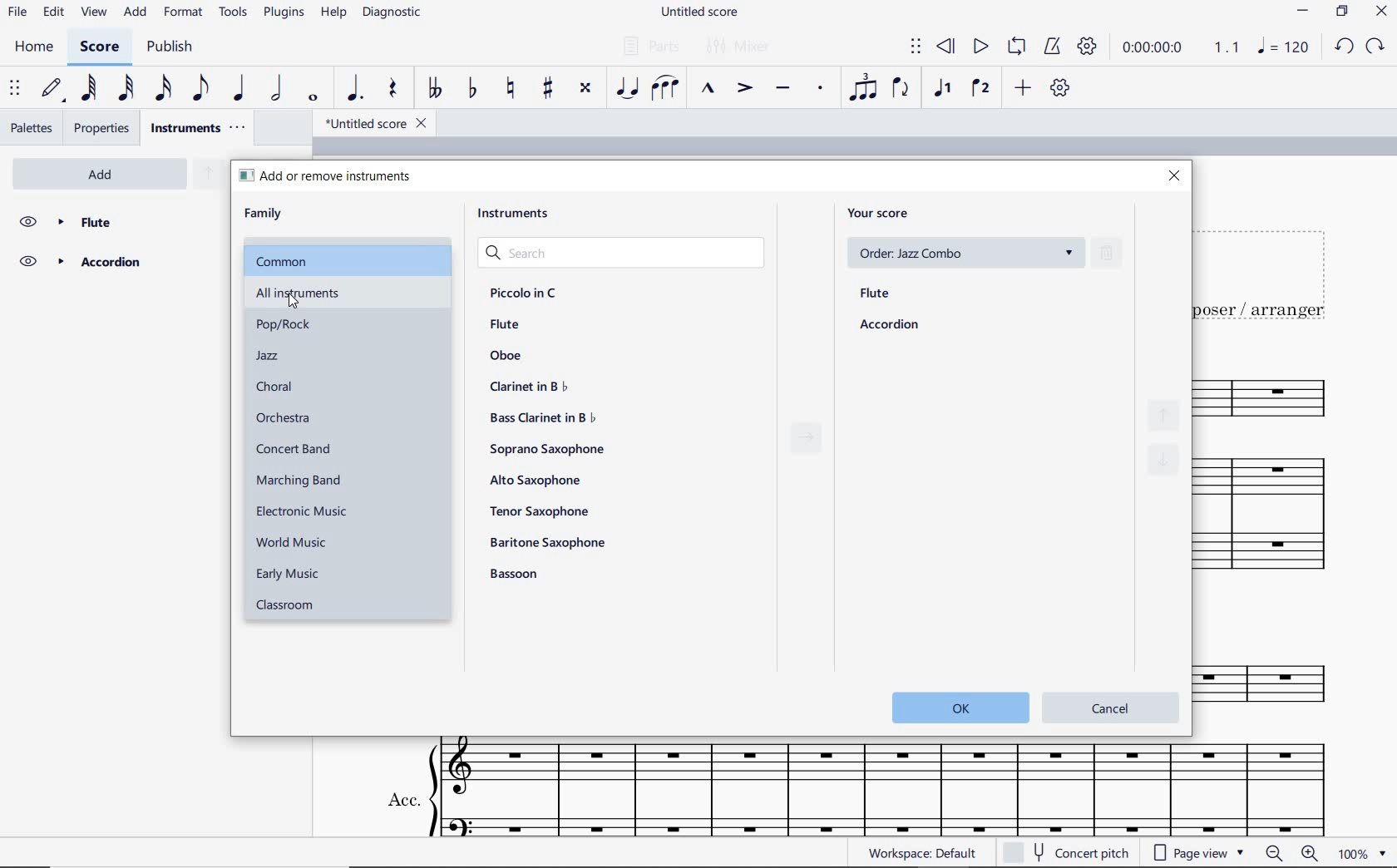 Image resolution: width=1397 pixels, height=868 pixels. What do you see at coordinates (1021, 89) in the screenshot?
I see `add` at bounding box center [1021, 89].